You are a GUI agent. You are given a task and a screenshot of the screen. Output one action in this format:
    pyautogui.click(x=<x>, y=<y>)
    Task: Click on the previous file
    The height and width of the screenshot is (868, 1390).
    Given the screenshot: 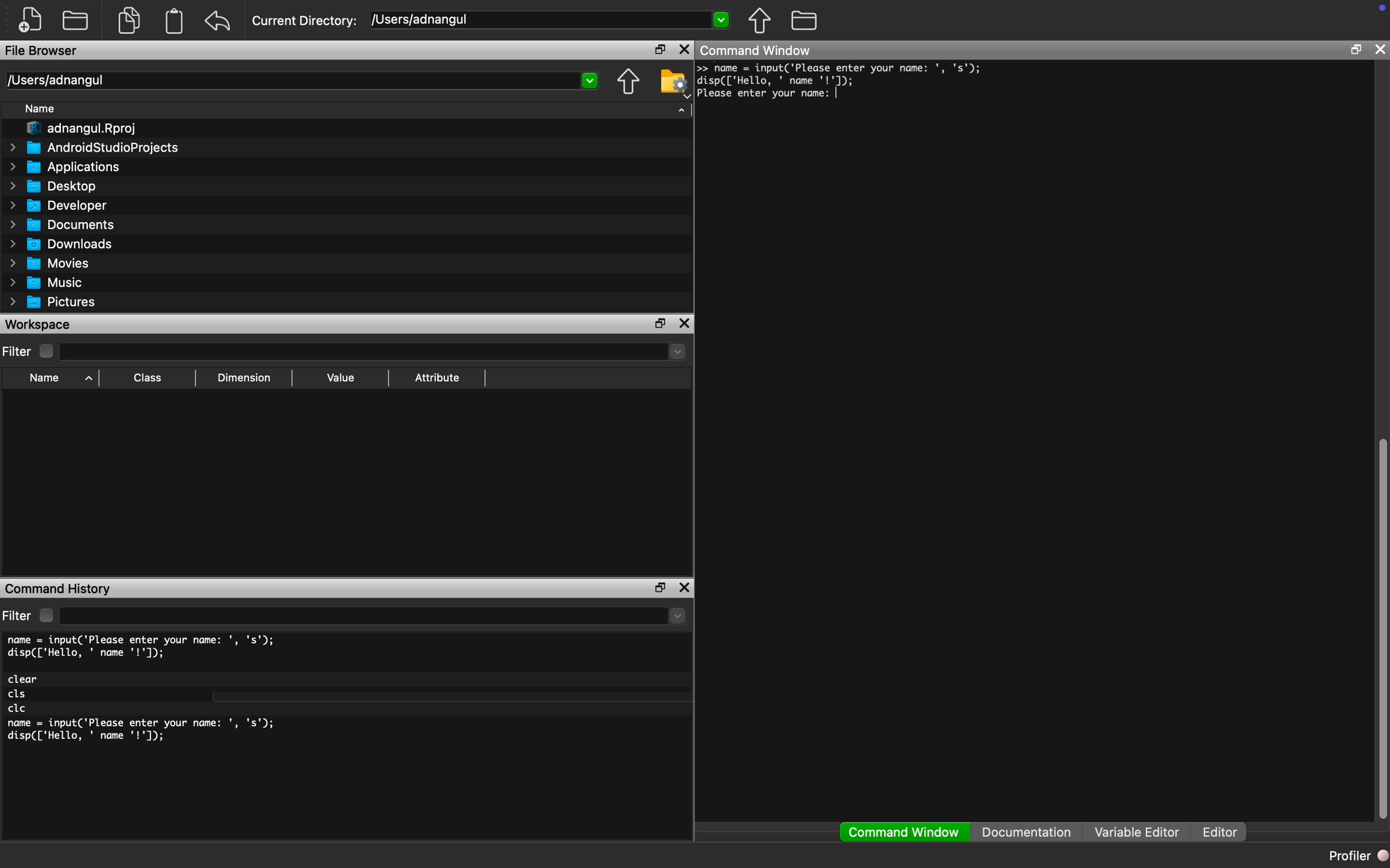 What is the action you would take?
    pyautogui.click(x=760, y=21)
    